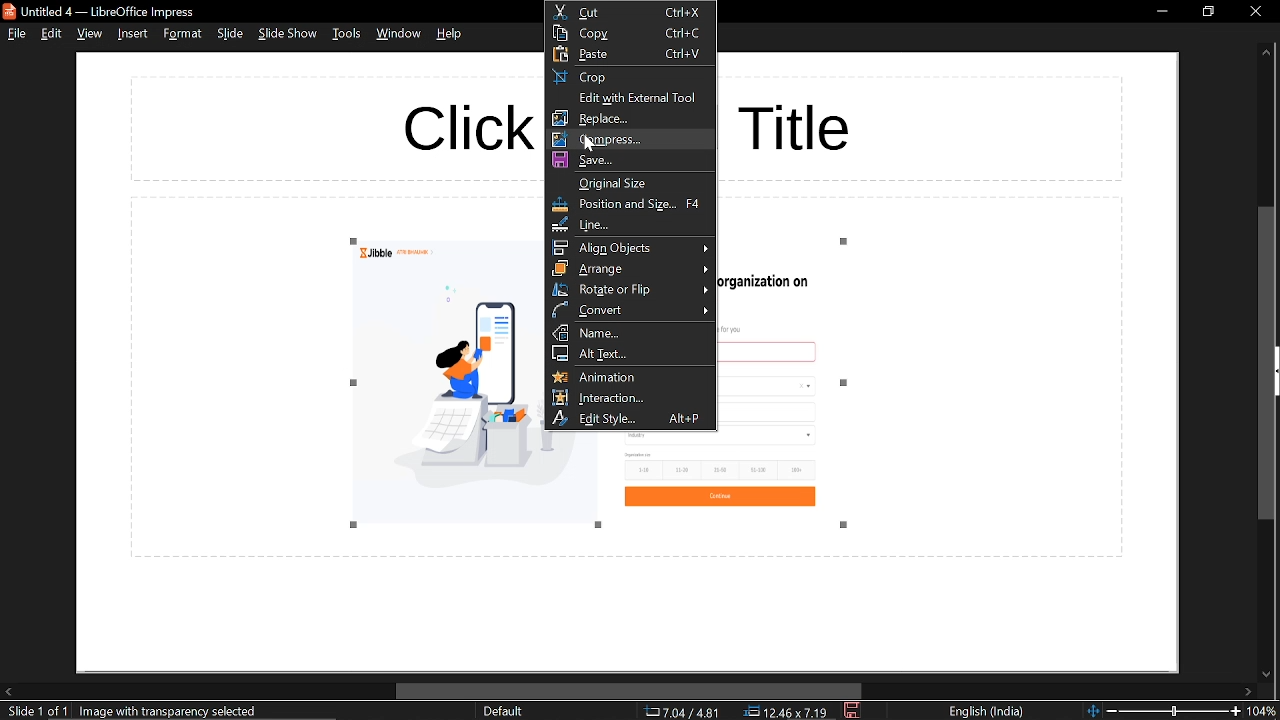 The width and height of the screenshot is (1280, 720). Describe the element at coordinates (633, 355) in the screenshot. I see `alt text` at that location.